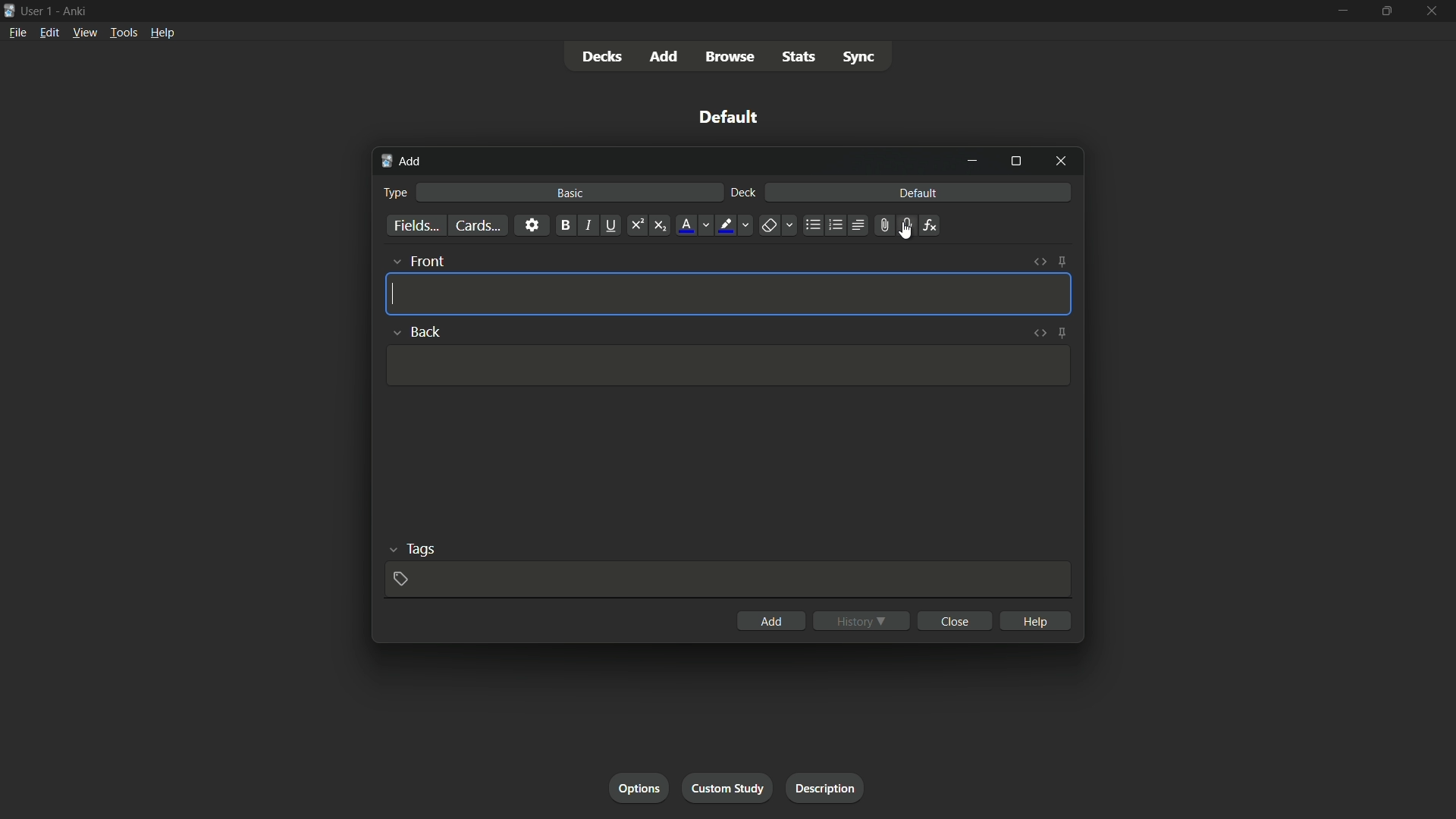 This screenshot has height=819, width=1456. Describe the element at coordinates (954, 621) in the screenshot. I see `close` at that location.